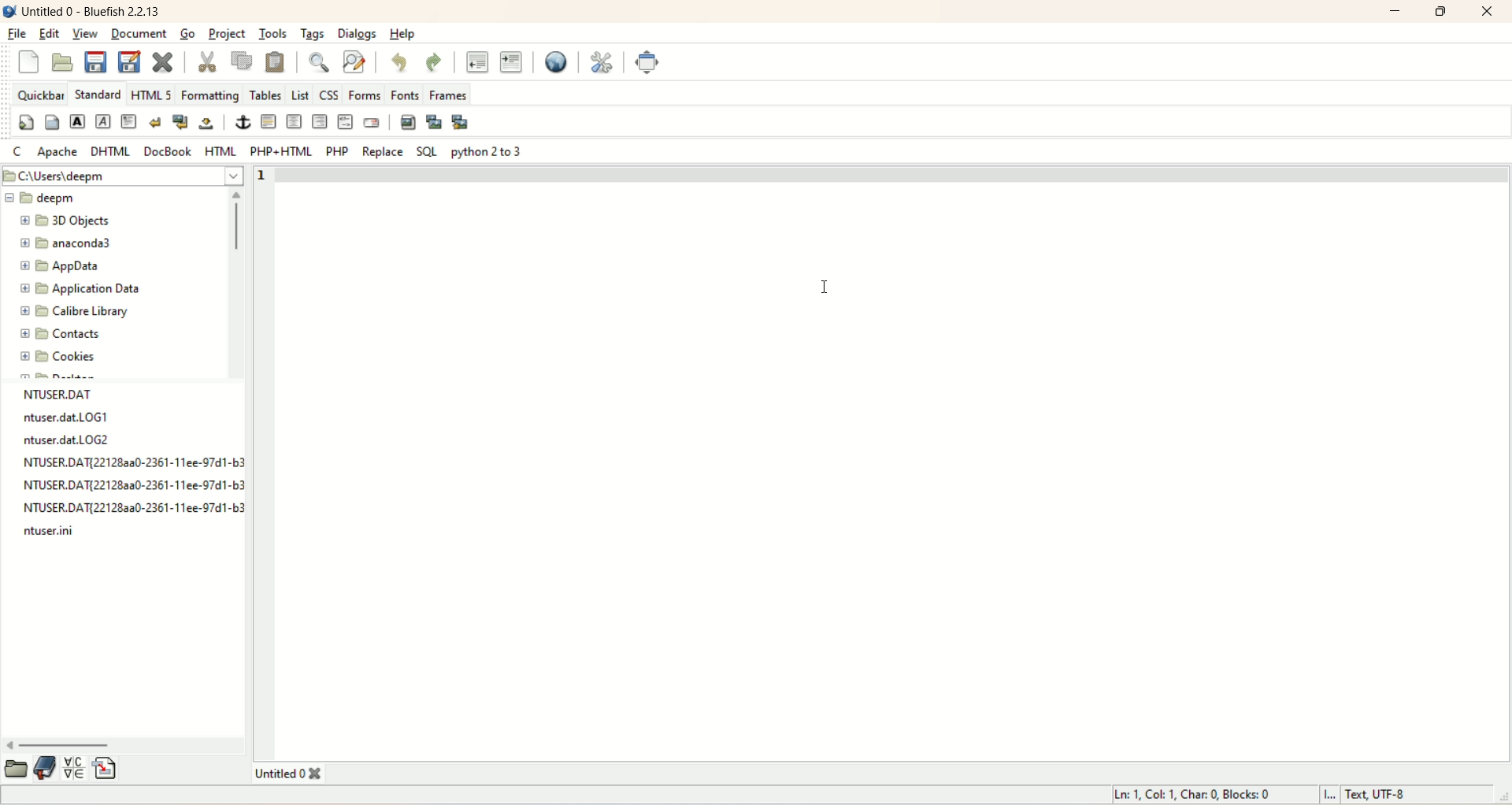 The width and height of the screenshot is (1512, 805). I want to click on email, so click(373, 124).